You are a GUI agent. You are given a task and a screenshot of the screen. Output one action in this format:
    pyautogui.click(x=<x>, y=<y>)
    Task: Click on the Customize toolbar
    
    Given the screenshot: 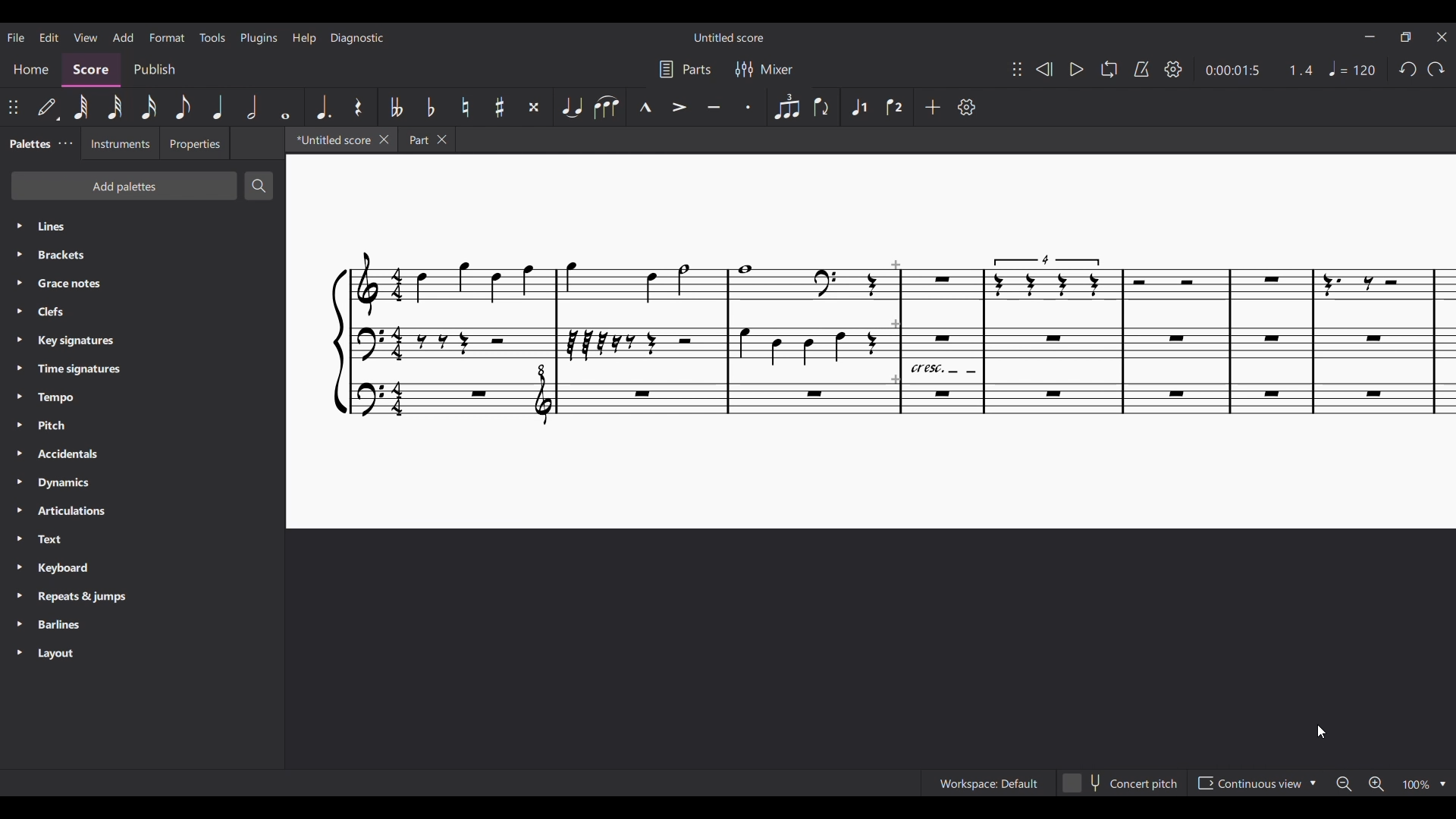 What is the action you would take?
    pyautogui.click(x=967, y=107)
    